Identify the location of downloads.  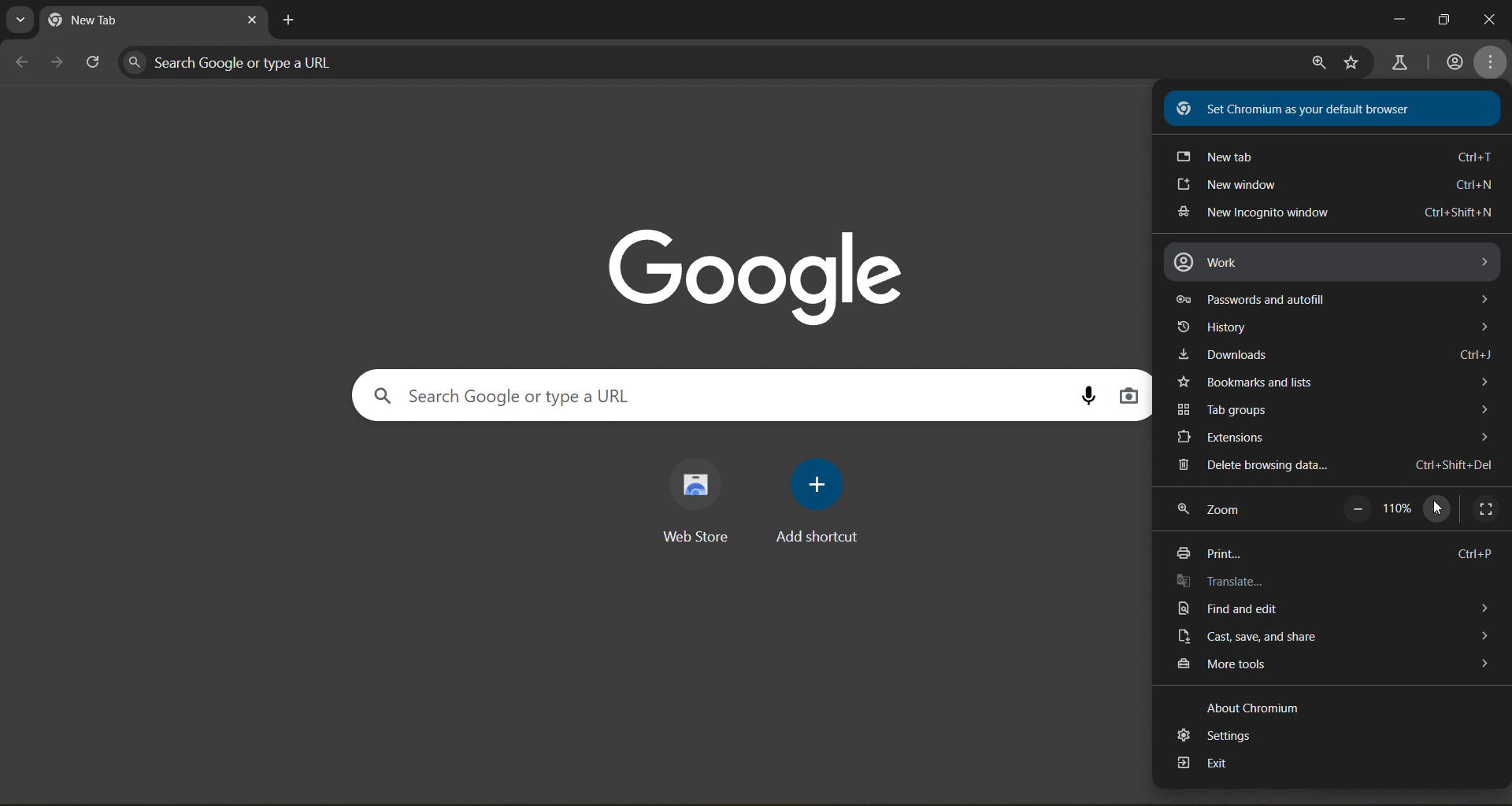
(1339, 357).